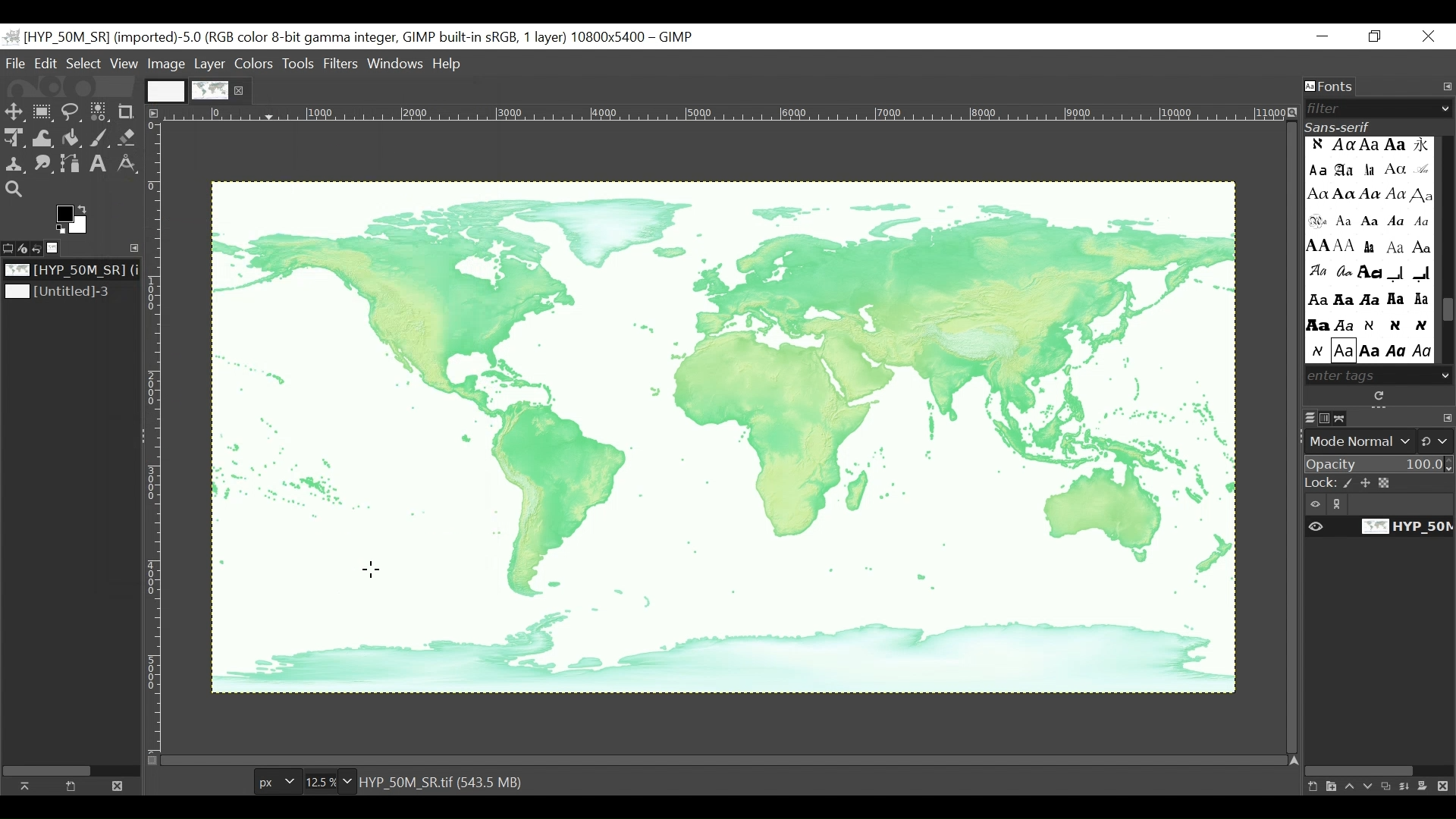  What do you see at coordinates (1381, 396) in the screenshot?
I see `Rescan the installed fonts` at bounding box center [1381, 396].